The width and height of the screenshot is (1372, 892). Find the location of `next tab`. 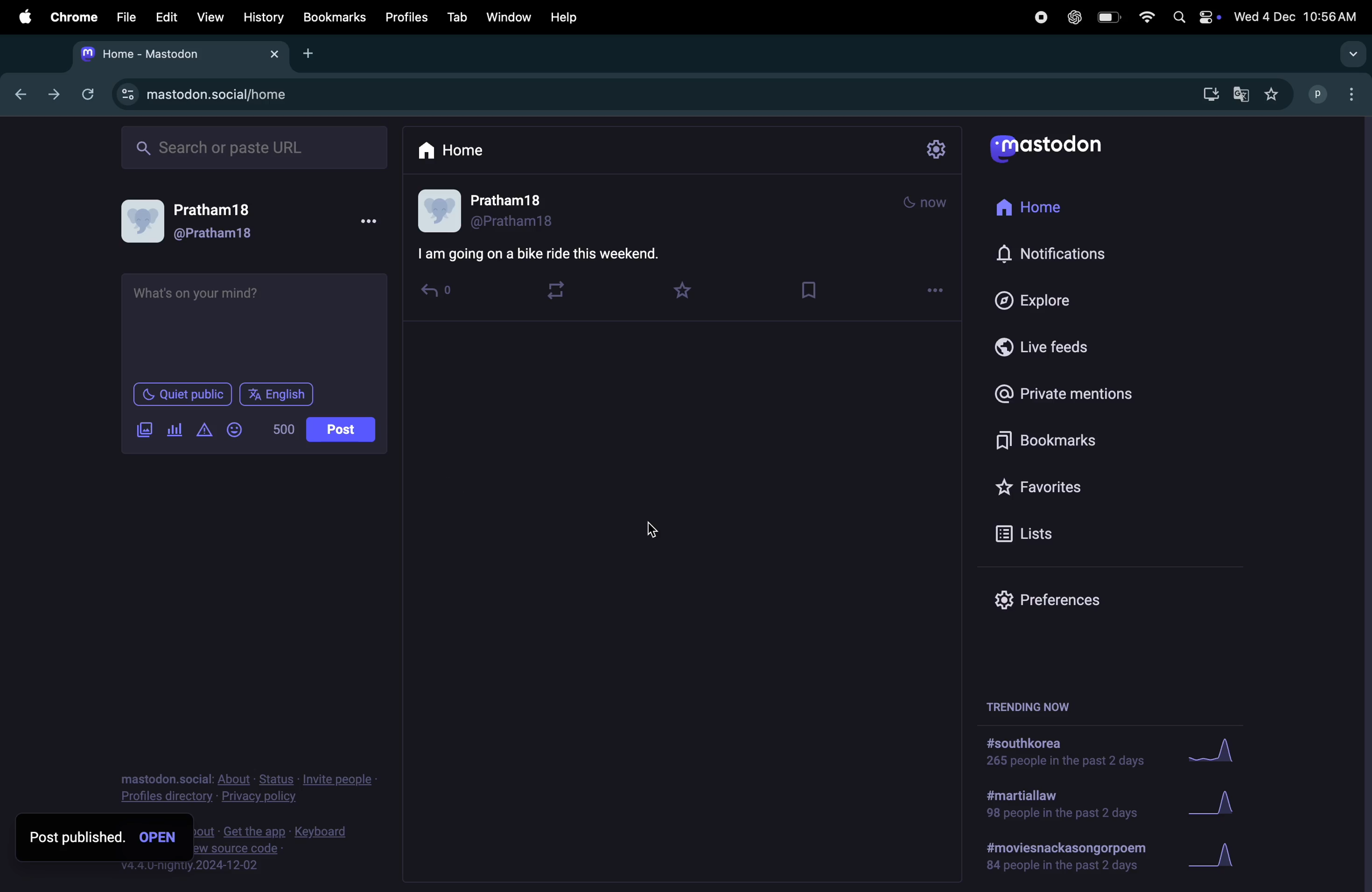

next tab is located at coordinates (59, 97).